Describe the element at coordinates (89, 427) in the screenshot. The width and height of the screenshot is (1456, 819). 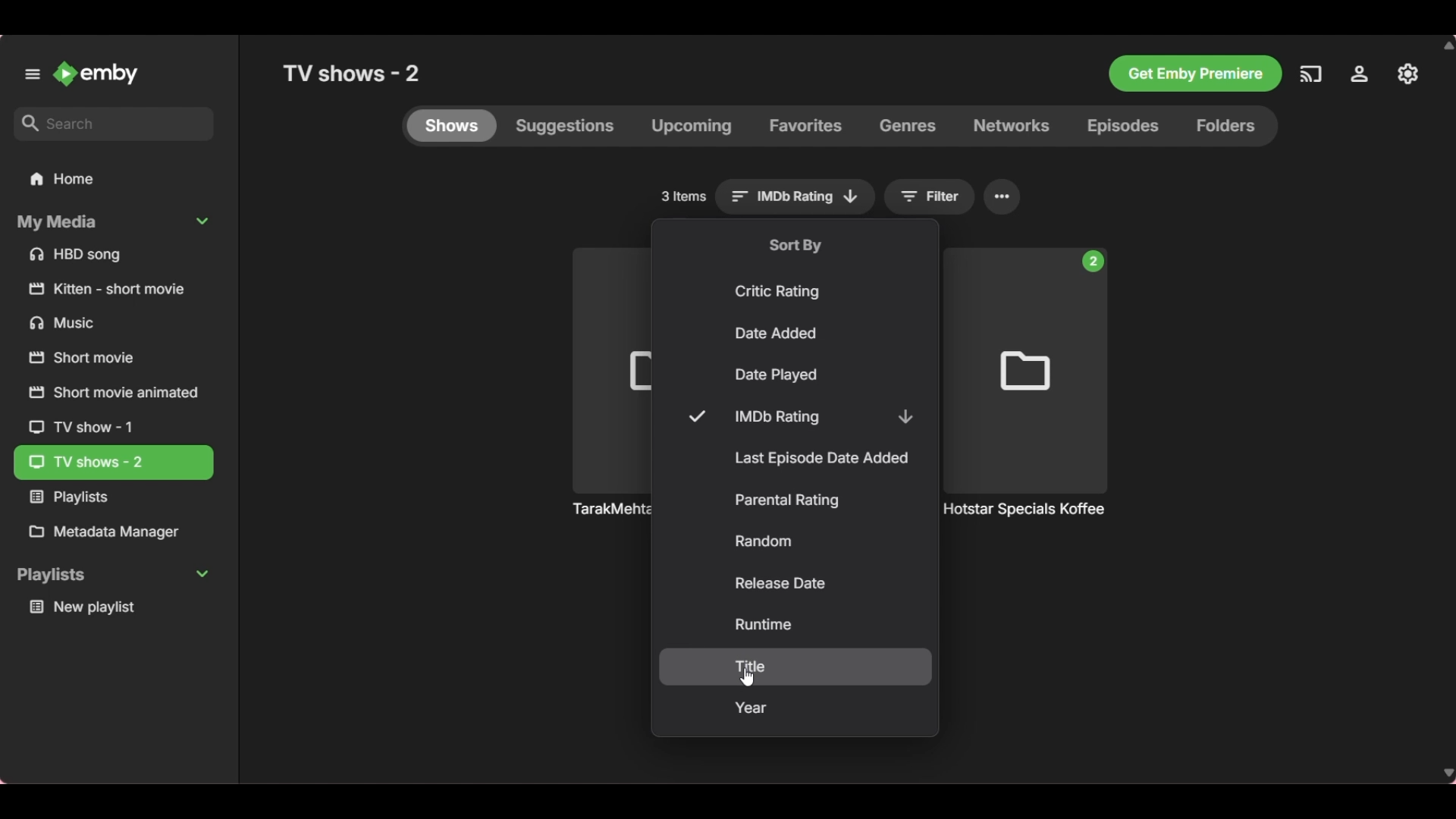
I see `` at that location.